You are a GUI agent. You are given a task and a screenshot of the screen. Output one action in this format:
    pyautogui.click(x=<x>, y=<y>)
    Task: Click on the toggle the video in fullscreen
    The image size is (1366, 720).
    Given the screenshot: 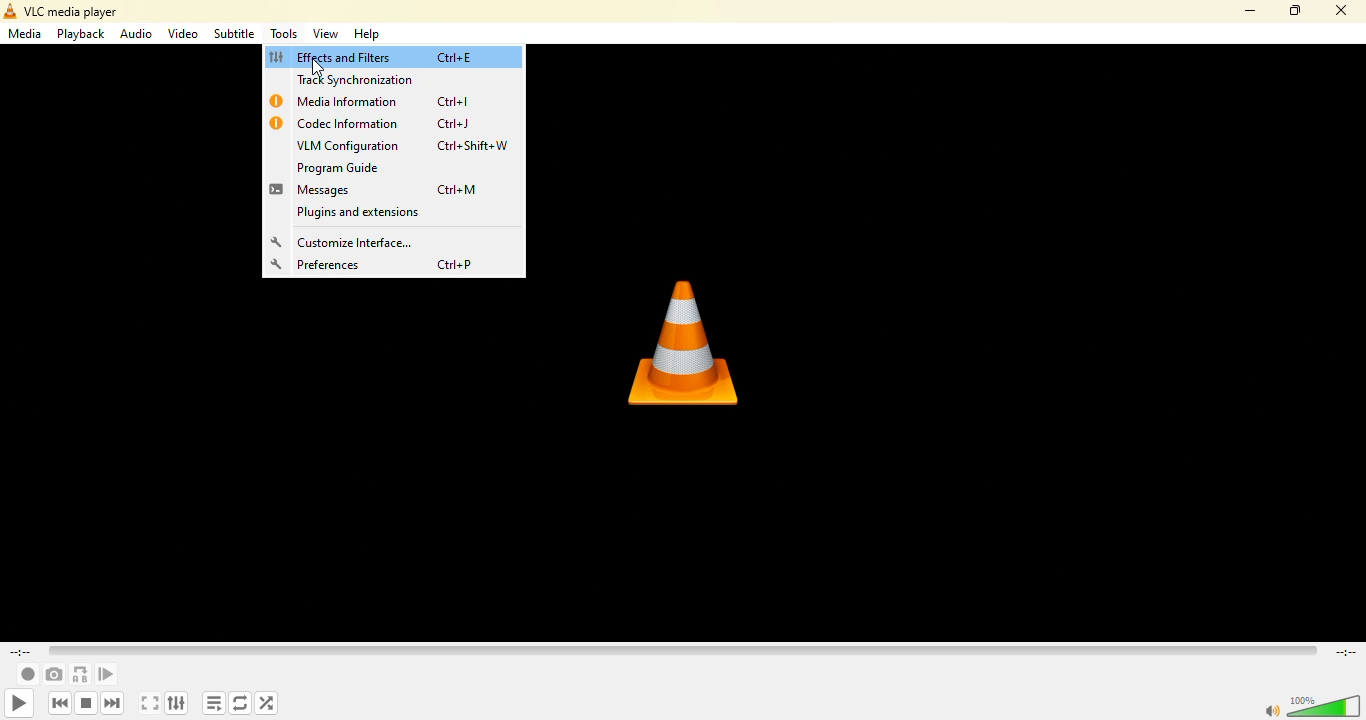 What is the action you would take?
    pyautogui.click(x=149, y=704)
    